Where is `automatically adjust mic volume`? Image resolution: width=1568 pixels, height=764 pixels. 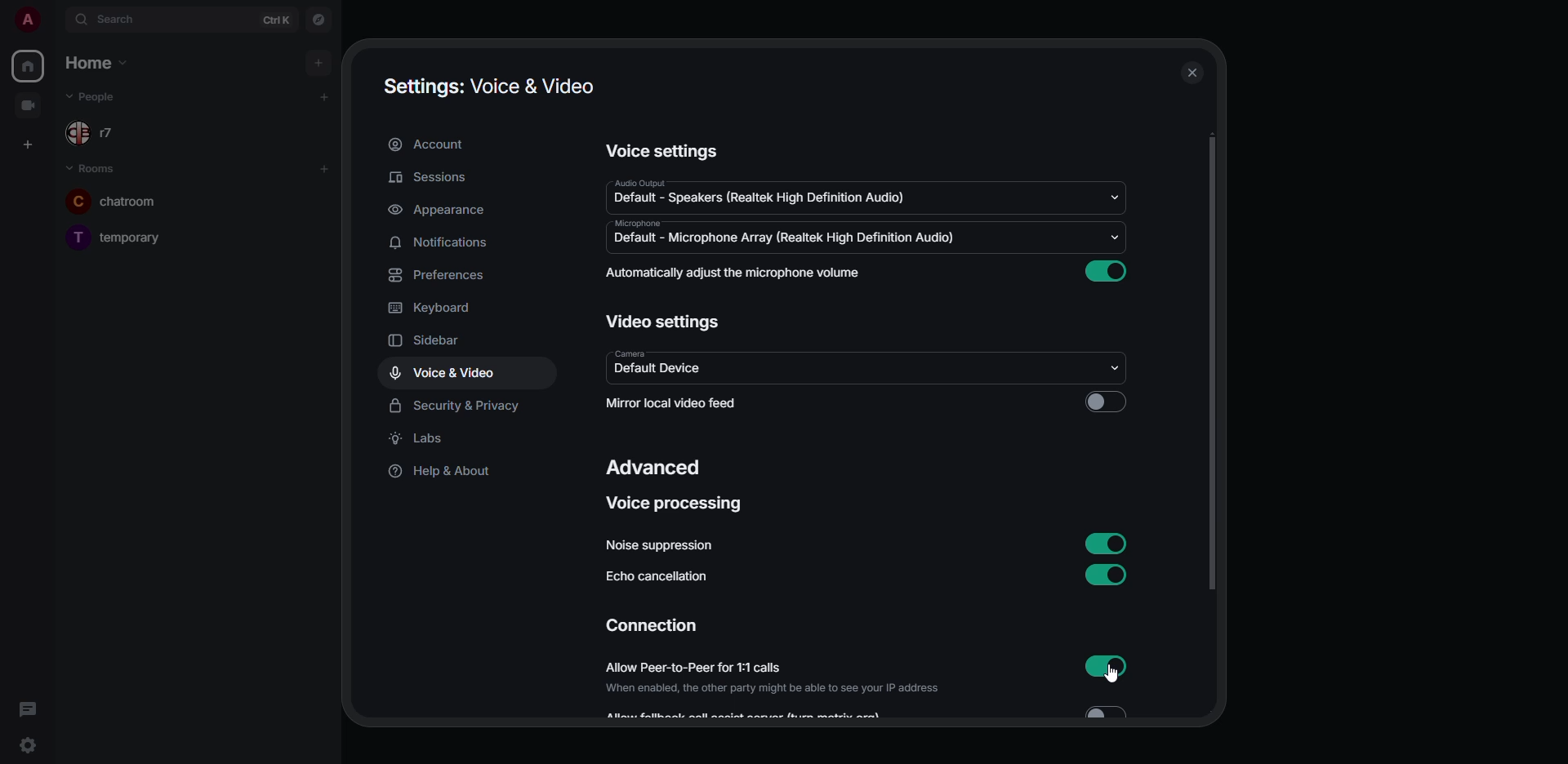
automatically adjust mic volume is located at coordinates (733, 273).